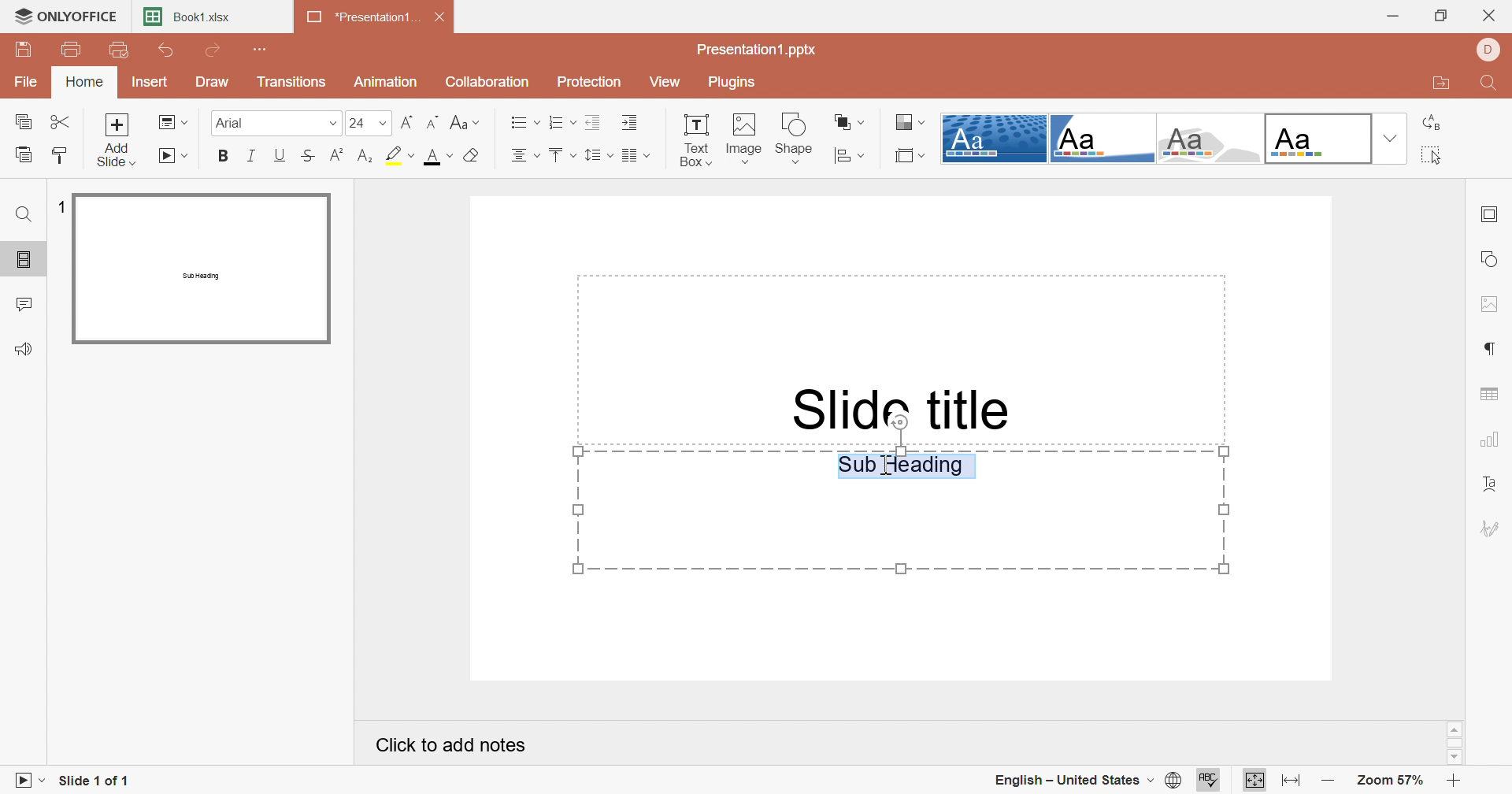 The width and height of the screenshot is (1512, 794). I want to click on Cut, so click(61, 121).